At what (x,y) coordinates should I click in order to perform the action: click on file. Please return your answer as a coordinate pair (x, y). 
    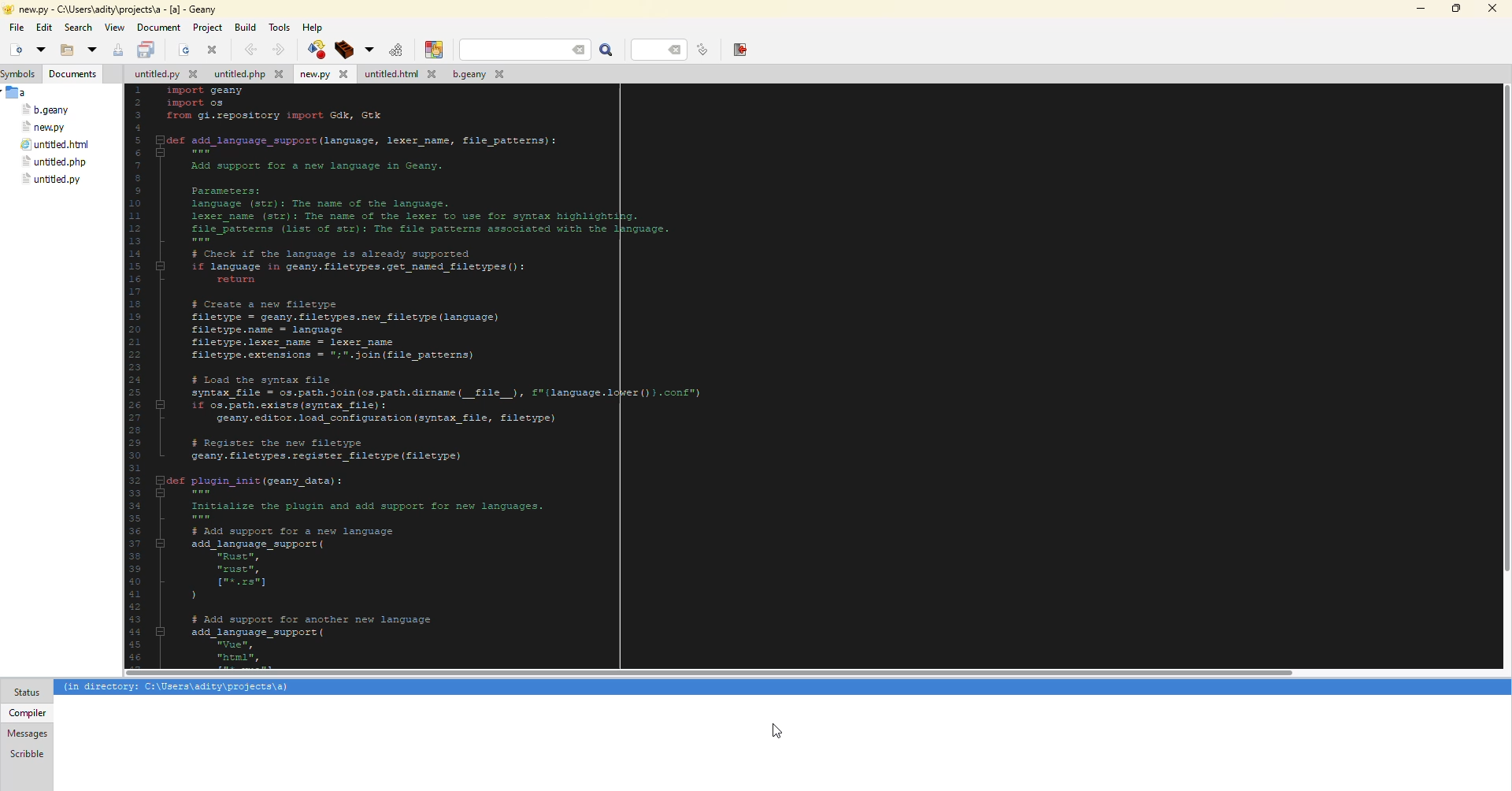
    Looking at the image, I should click on (43, 127).